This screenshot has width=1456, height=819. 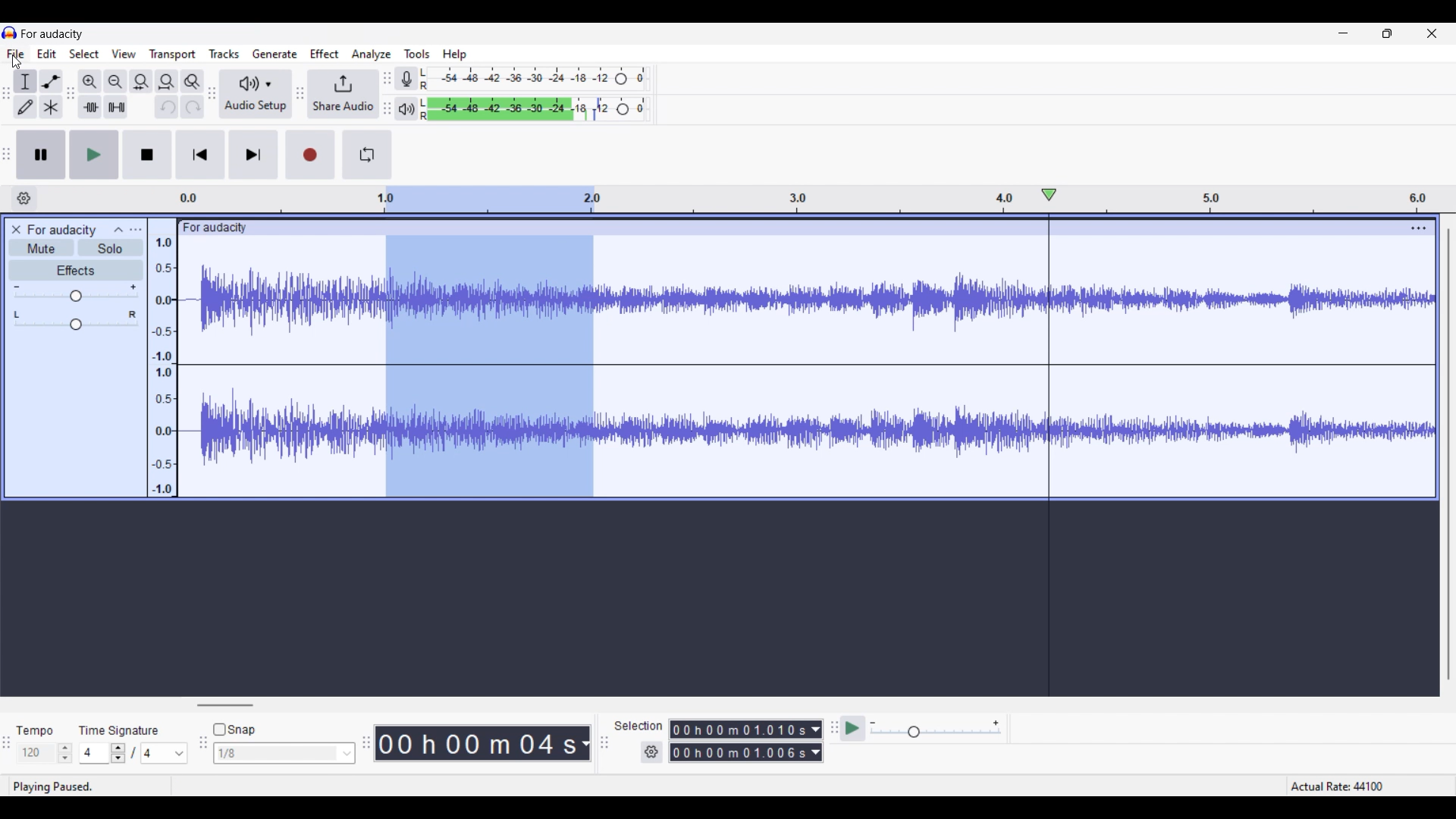 What do you see at coordinates (26, 82) in the screenshot?
I see `Selection tool` at bounding box center [26, 82].